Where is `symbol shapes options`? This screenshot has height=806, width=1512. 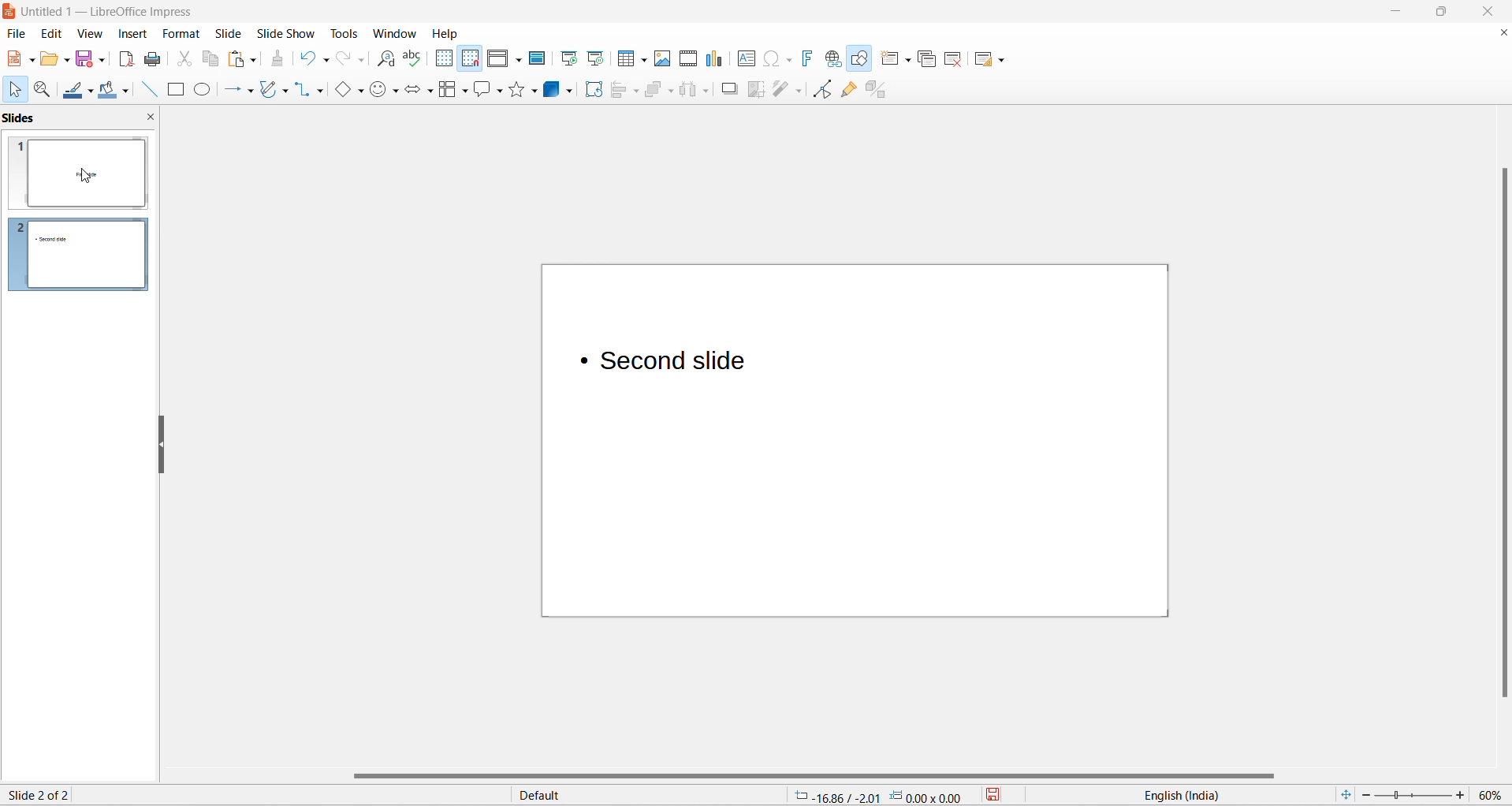
symbol shapes options is located at coordinates (396, 92).